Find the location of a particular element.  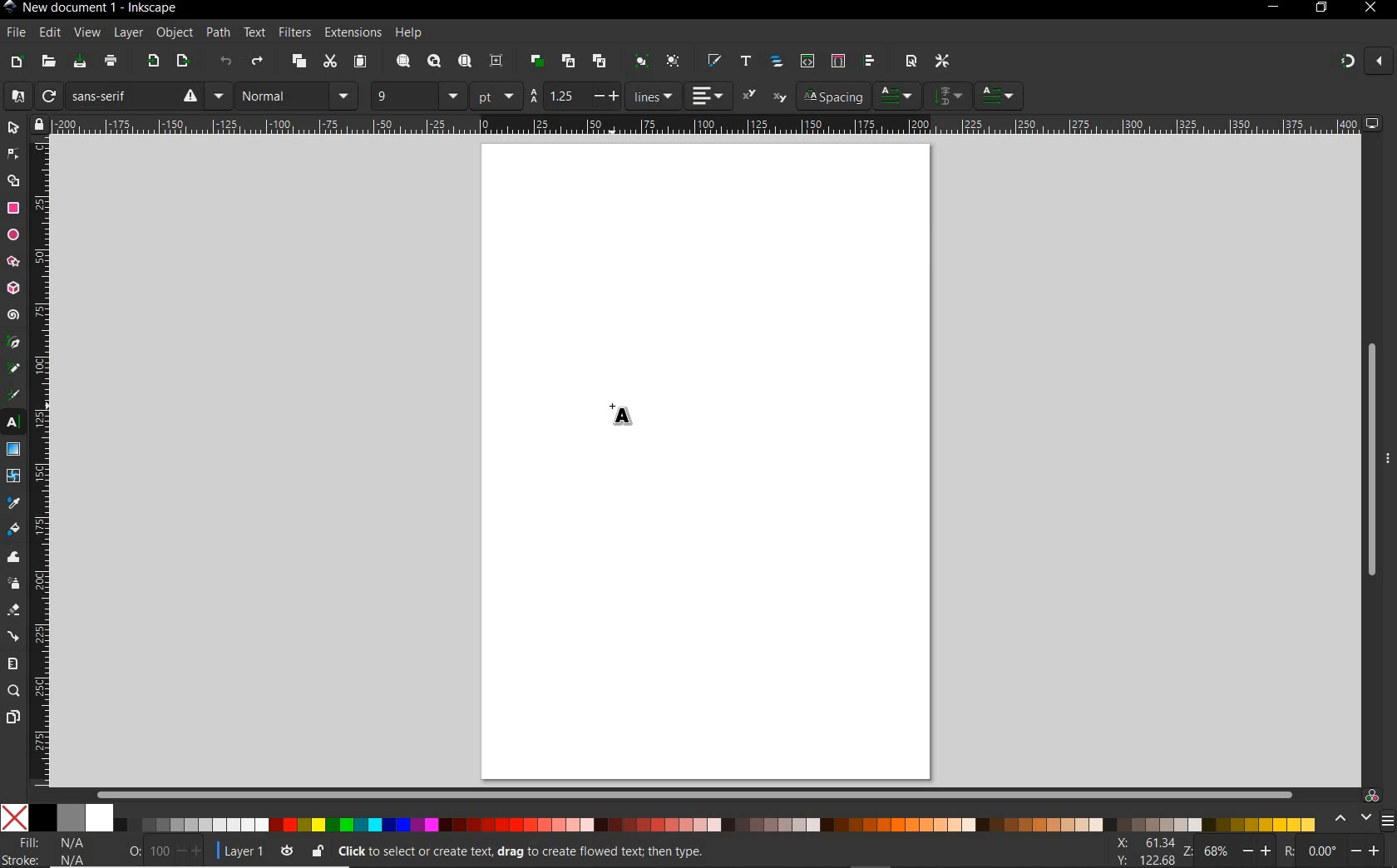

selector tool is located at coordinates (13, 127).